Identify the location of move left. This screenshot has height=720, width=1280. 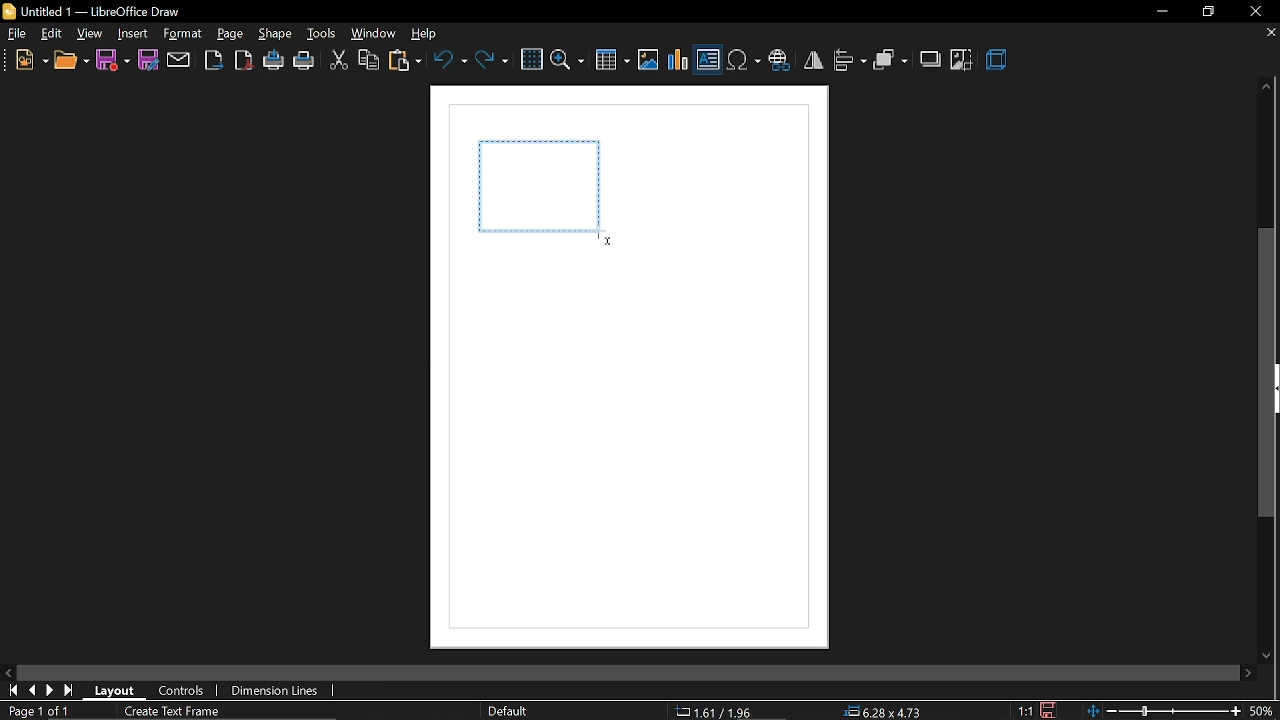
(10, 673).